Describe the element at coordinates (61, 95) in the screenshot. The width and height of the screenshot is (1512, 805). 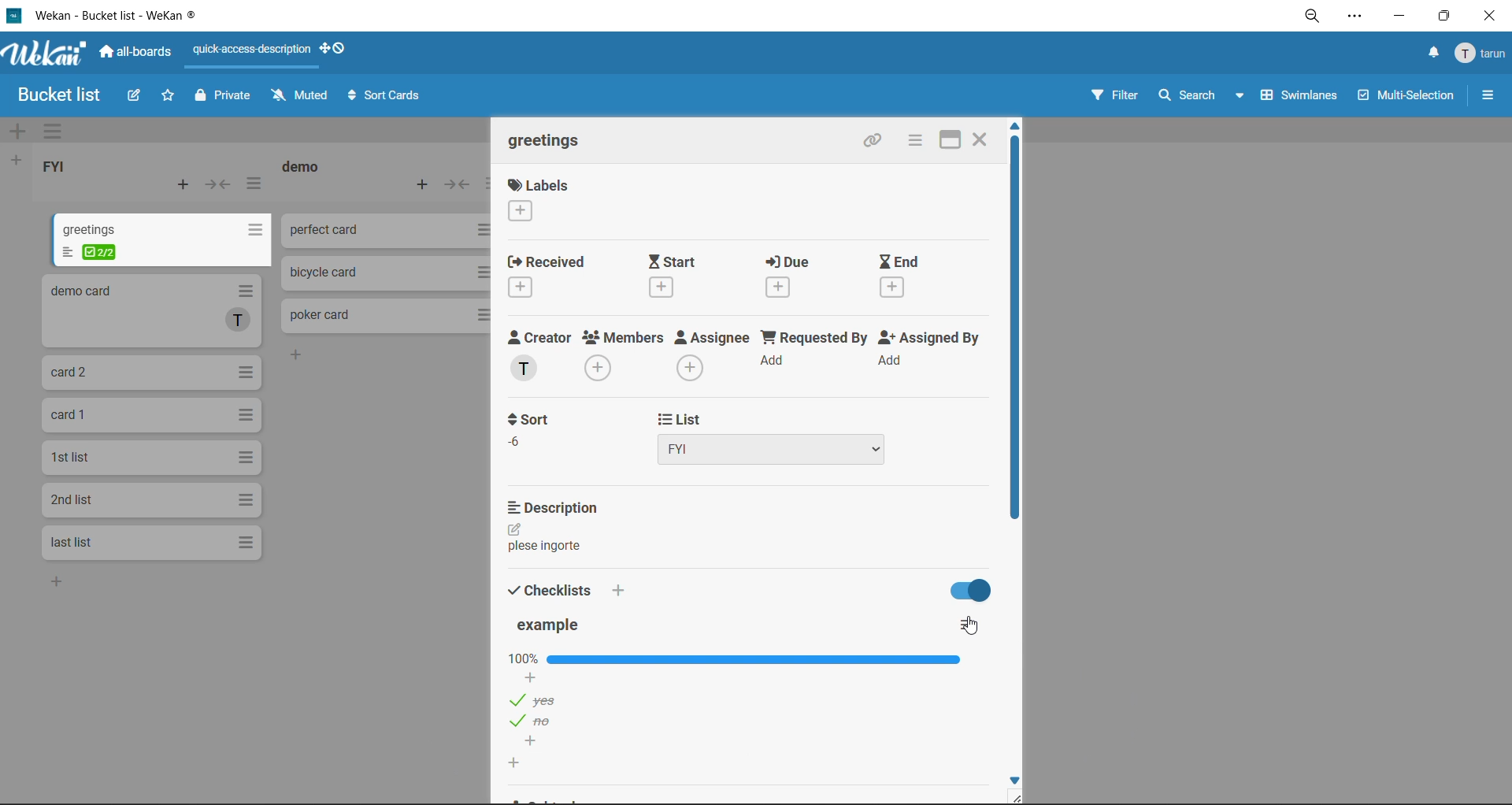
I see `board name` at that location.